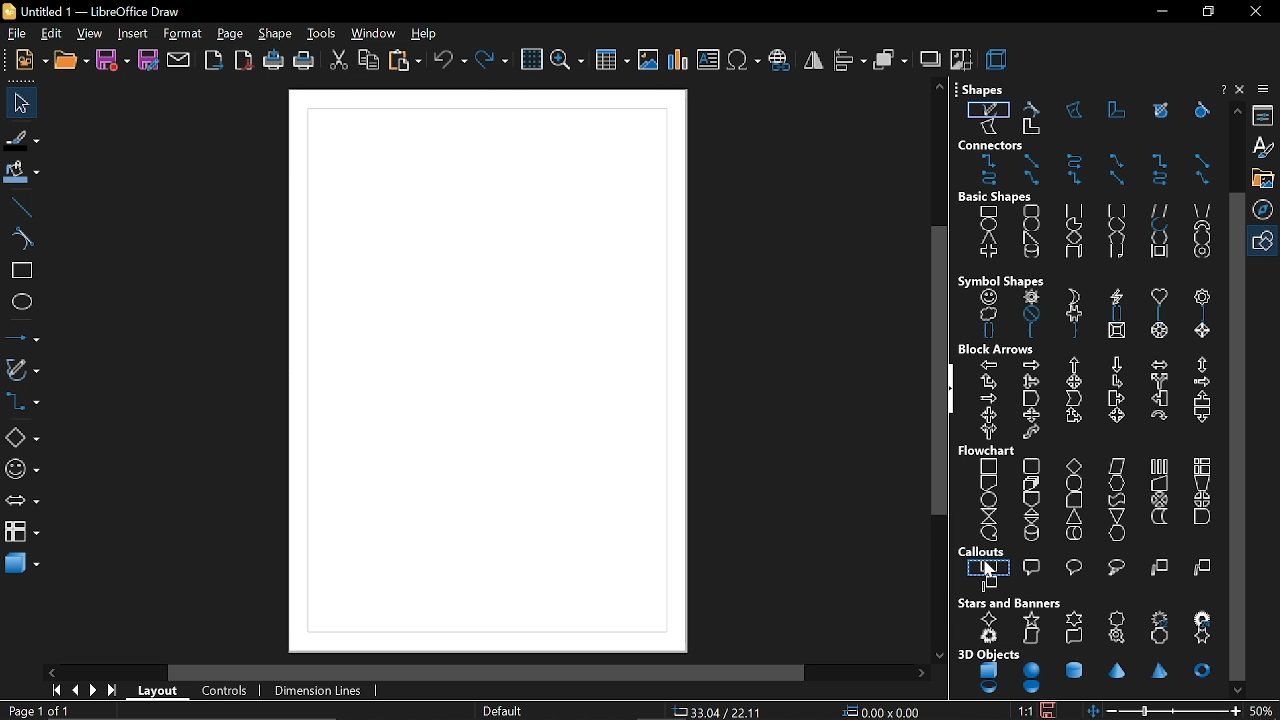  Describe the element at coordinates (487, 672) in the screenshot. I see `horizontal scroll bar` at that location.